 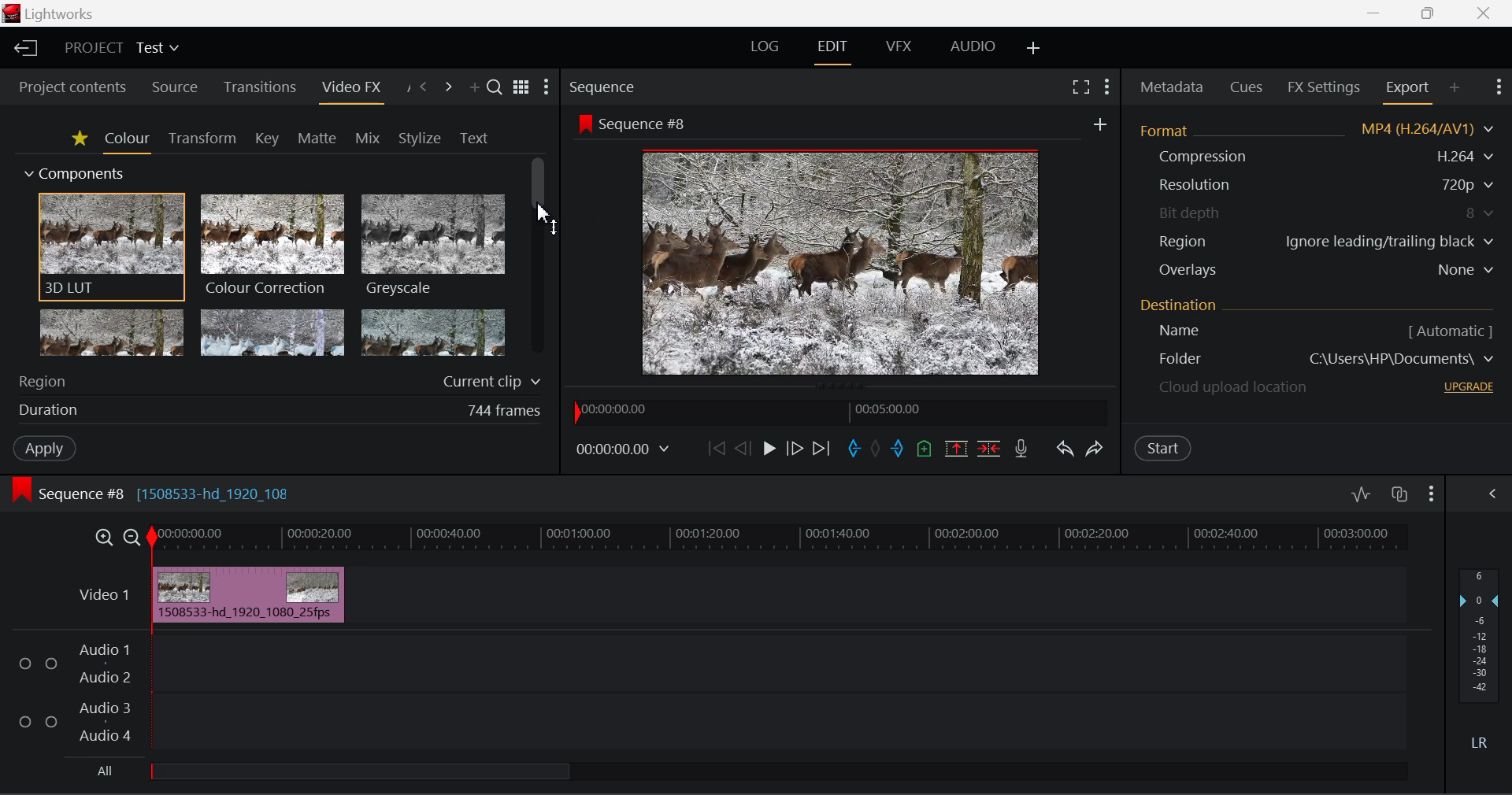 I want to click on Audio 2, so click(x=103, y=676).